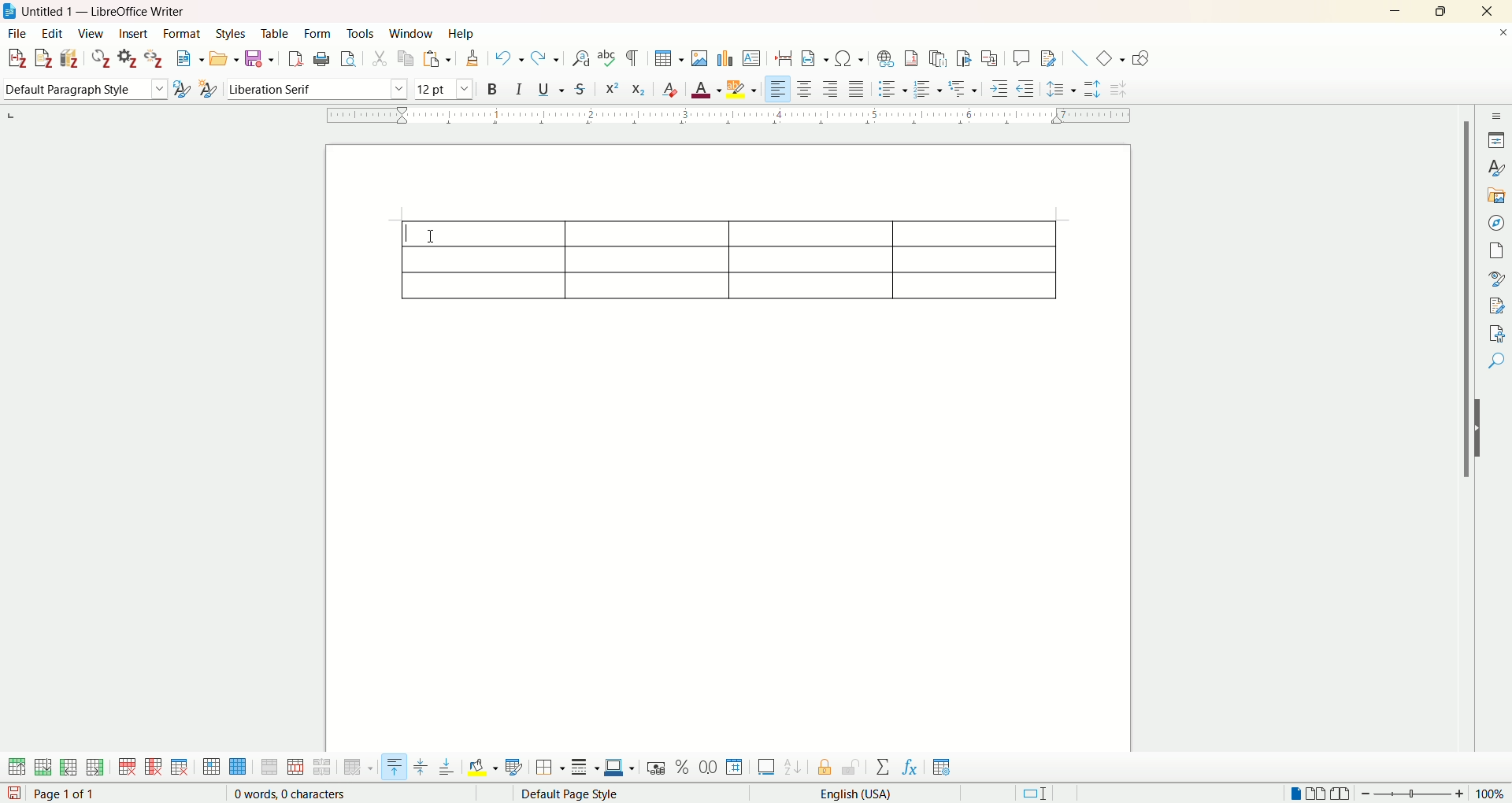  Describe the element at coordinates (221, 60) in the screenshot. I see `open` at that location.